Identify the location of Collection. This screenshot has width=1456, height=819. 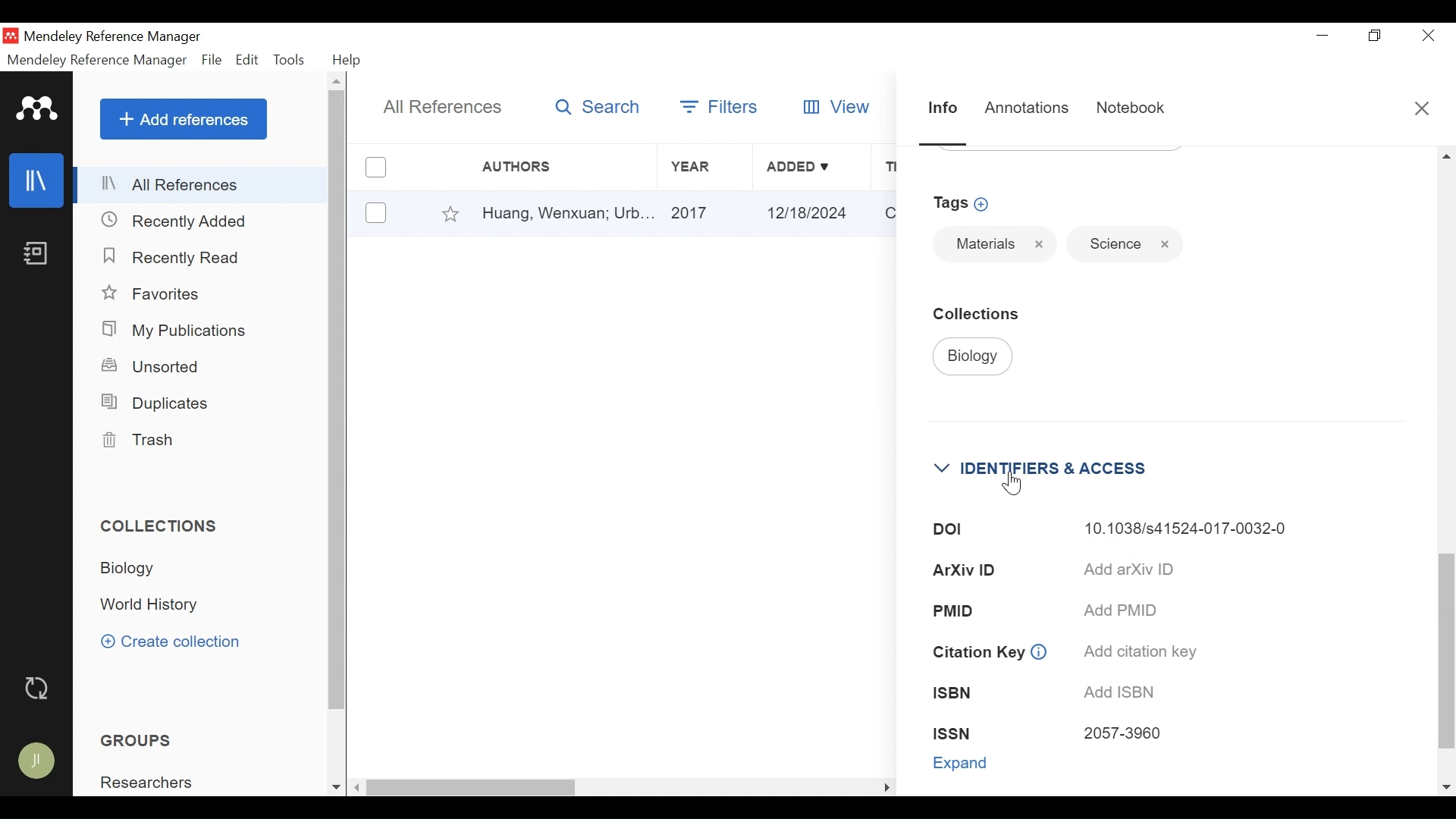
(157, 605).